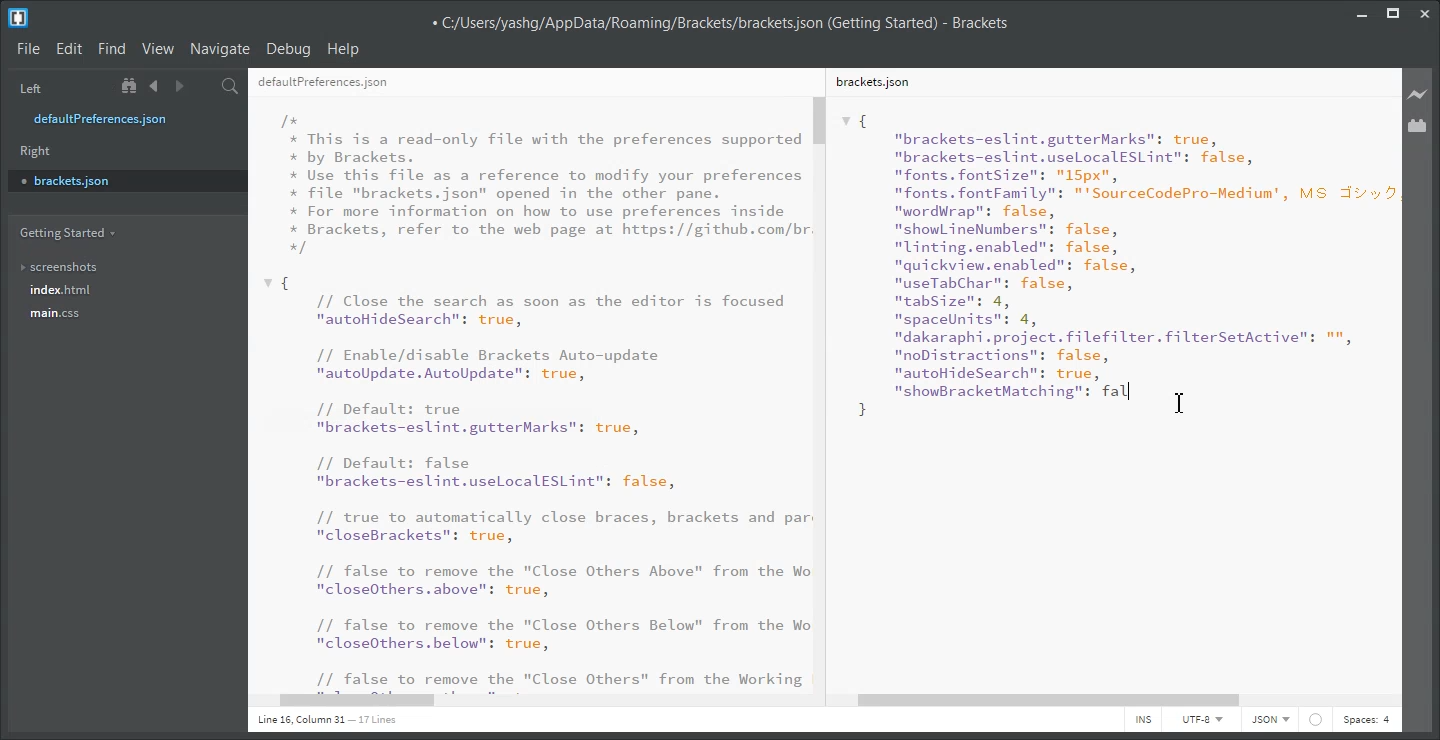 The height and width of the screenshot is (740, 1440). What do you see at coordinates (179, 86) in the screenshot?
I see `Navigate Forward` at bounding box center [179, 86].